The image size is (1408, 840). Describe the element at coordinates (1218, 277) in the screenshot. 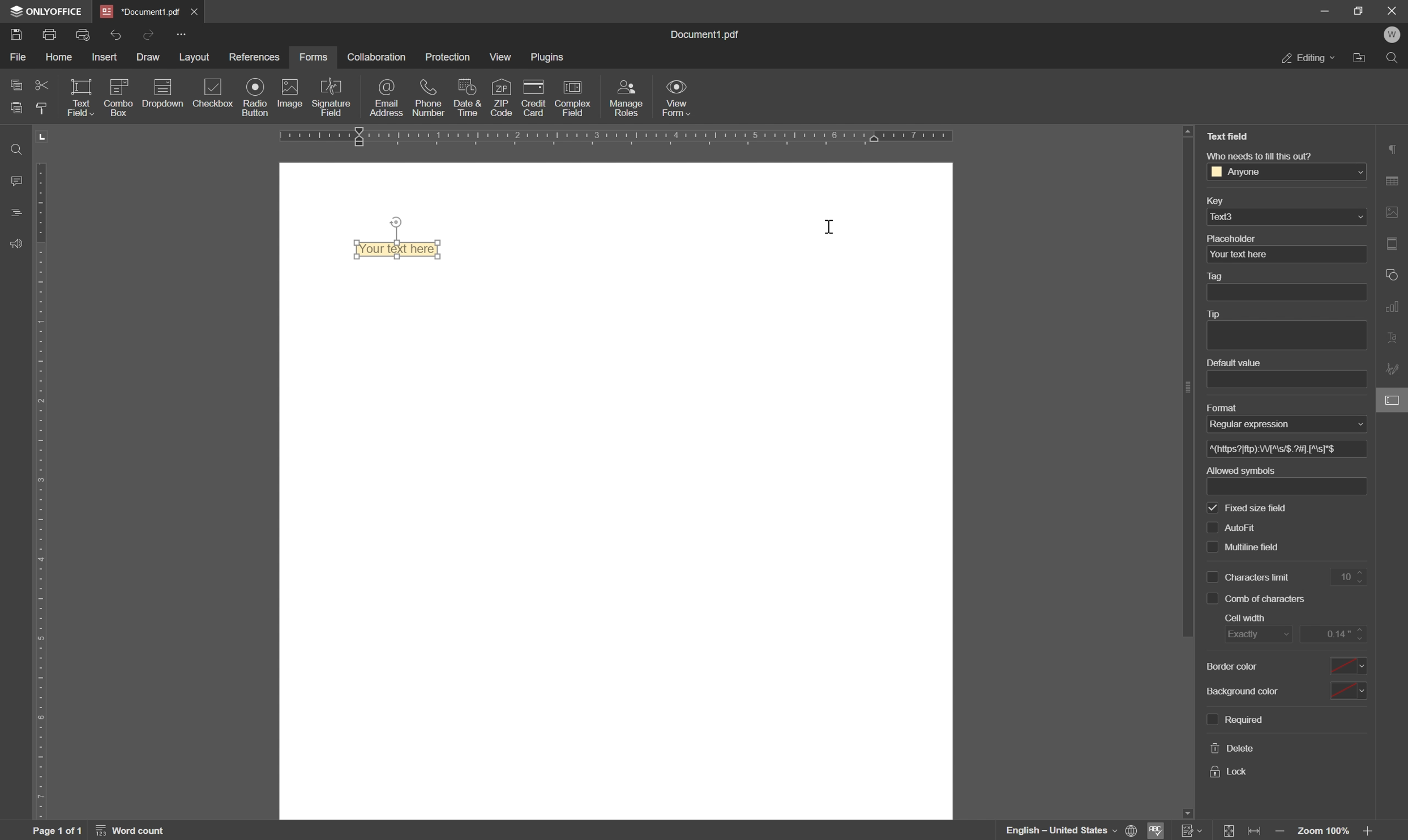

I see `tag` at that location.